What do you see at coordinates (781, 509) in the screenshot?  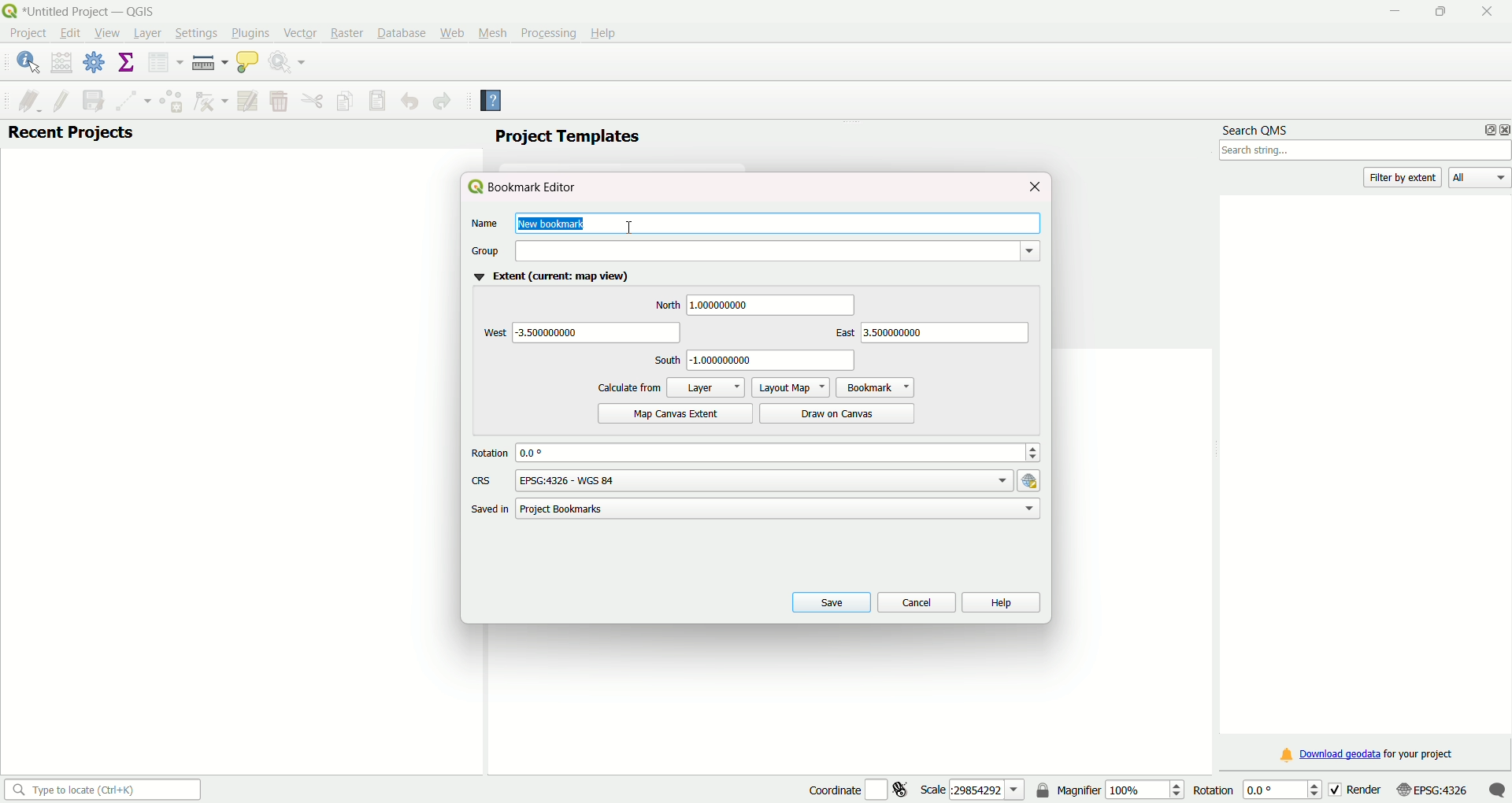 I see `text box` at bounding box center [781, 509].